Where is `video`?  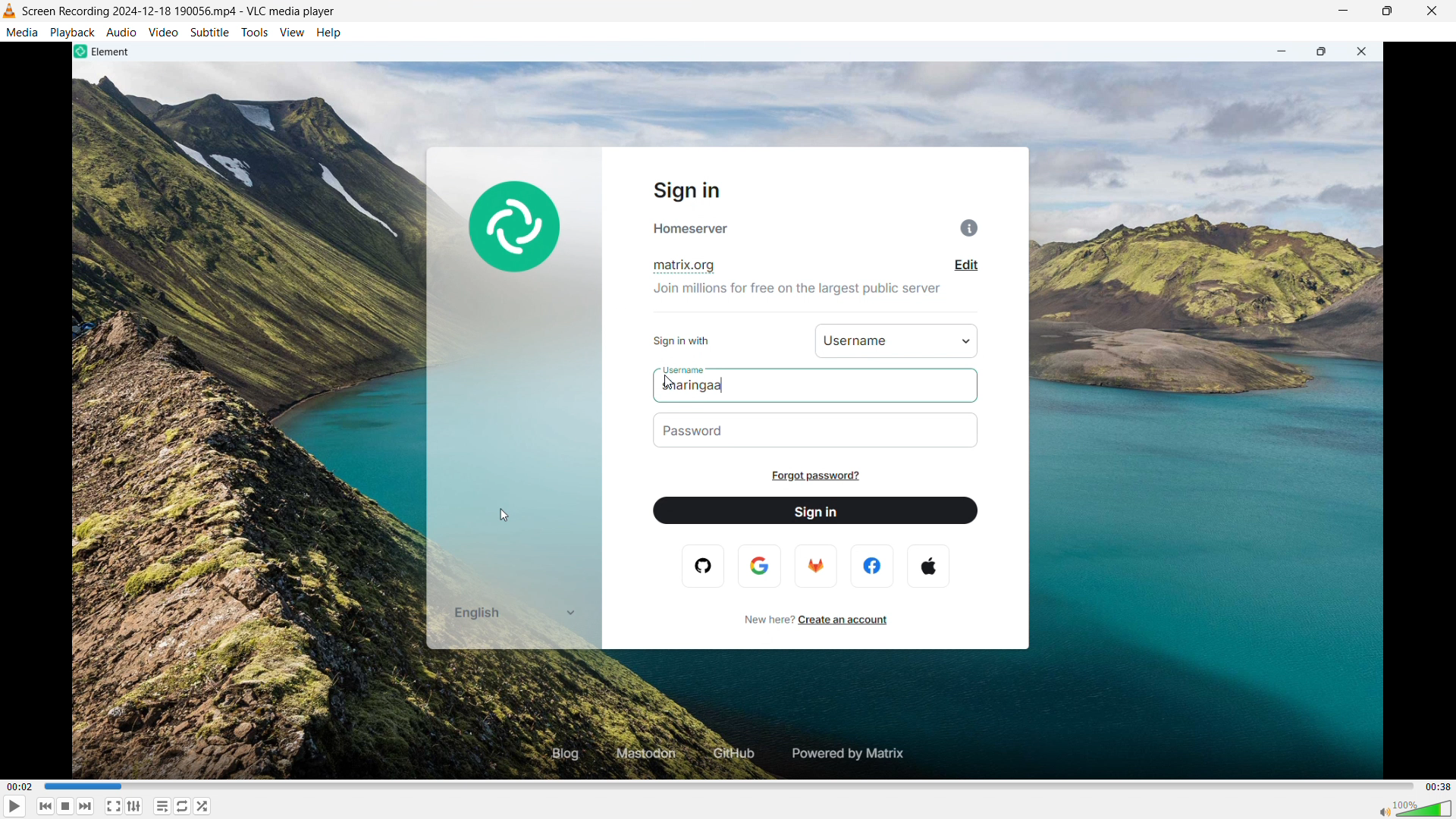
video is located at coordinates (163, 32).